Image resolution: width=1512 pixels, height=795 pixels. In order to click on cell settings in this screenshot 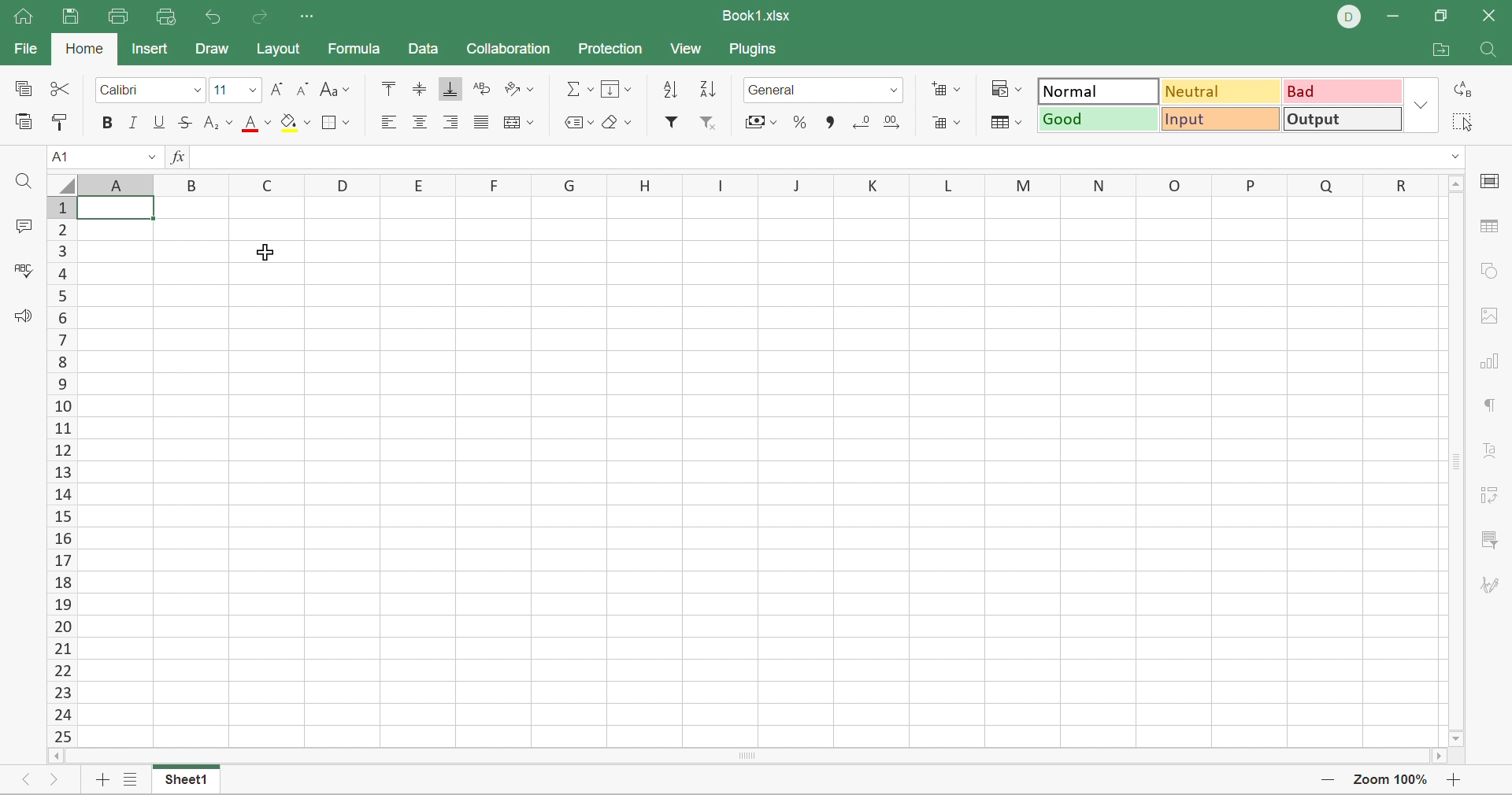, I will do `click(1491, 183)`.